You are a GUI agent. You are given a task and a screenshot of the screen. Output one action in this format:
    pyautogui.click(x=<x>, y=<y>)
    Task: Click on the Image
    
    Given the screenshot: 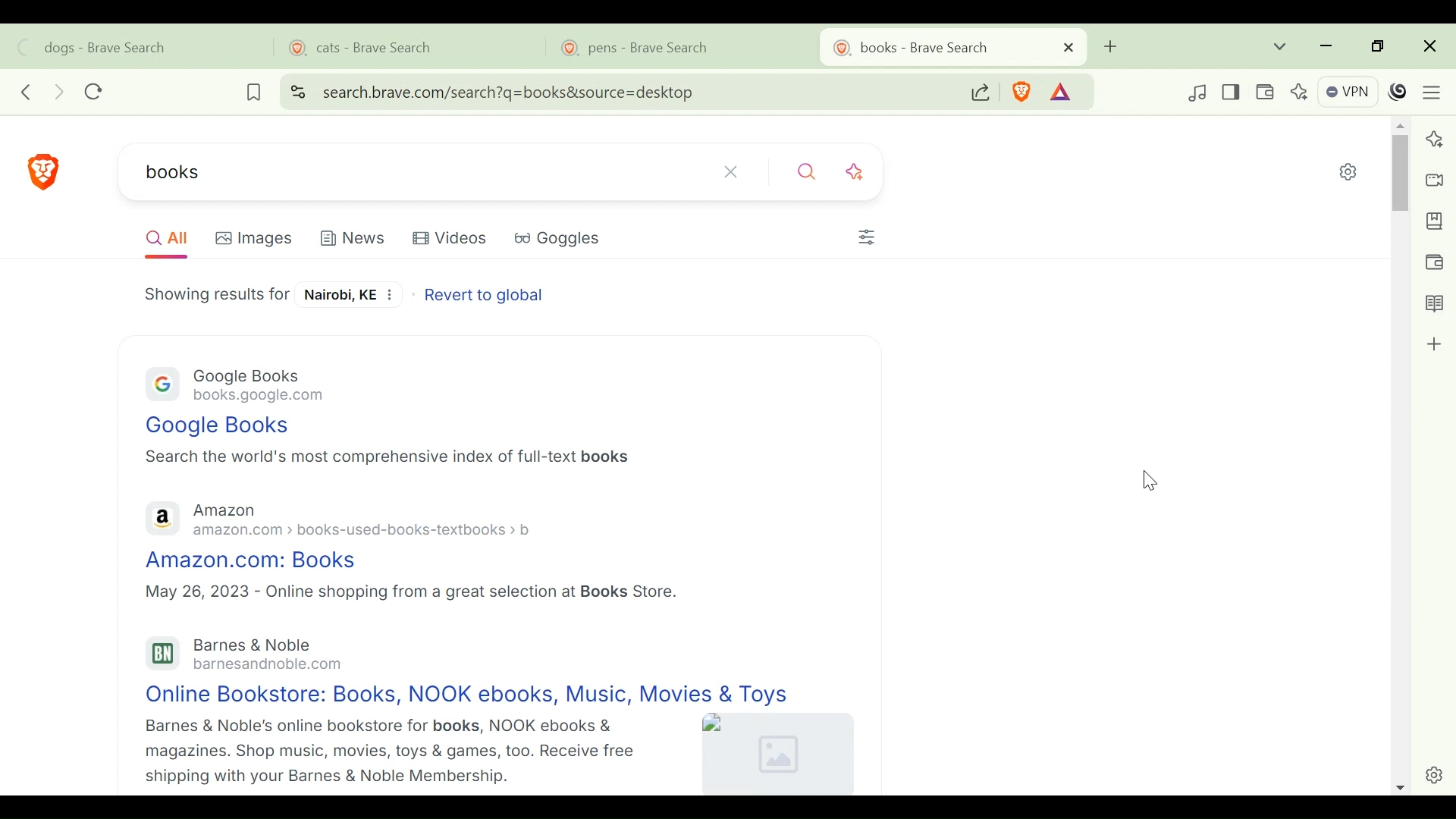 What is the action you would take?
    pyautogui.click(x=779, y=754)
    